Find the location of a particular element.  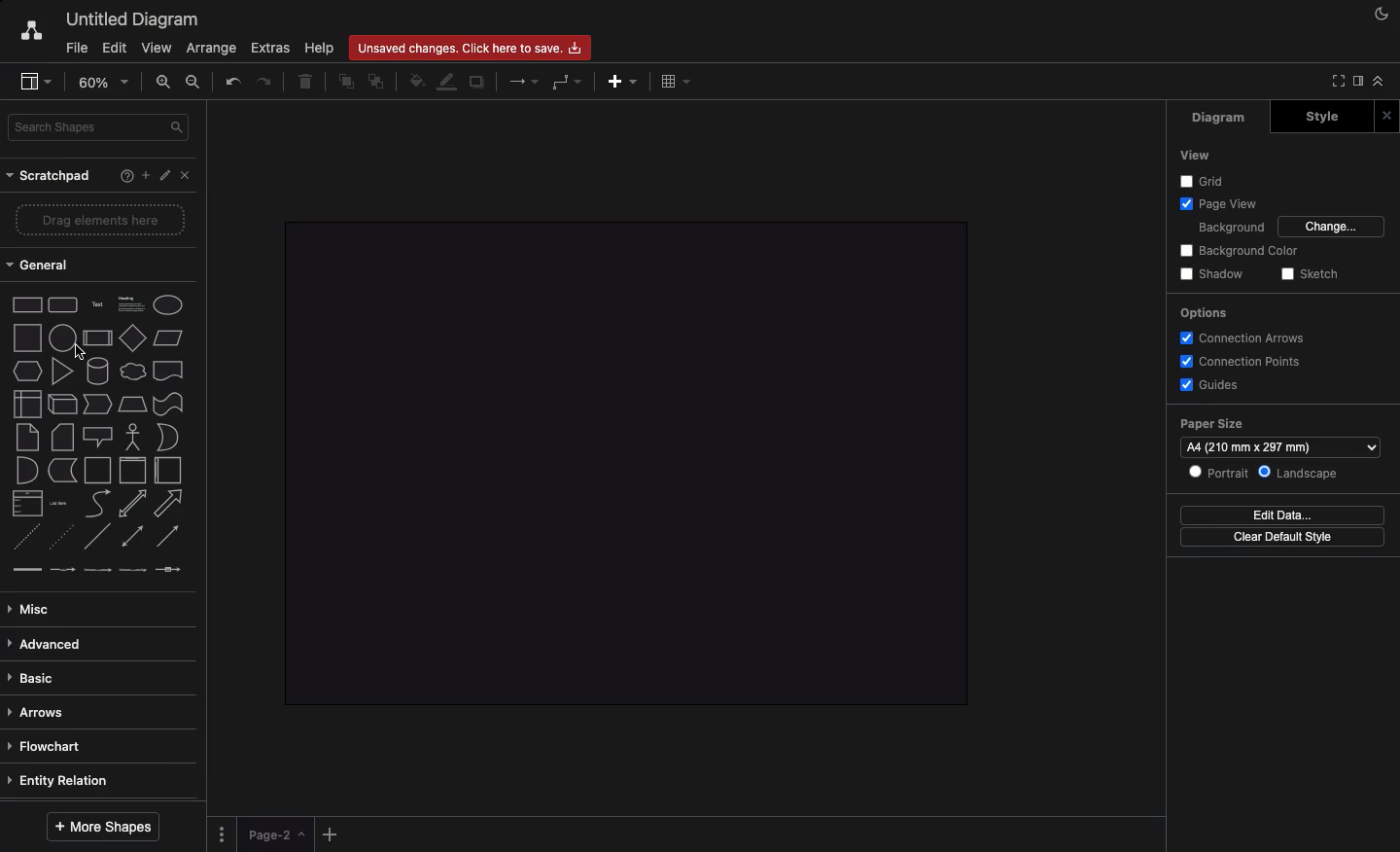

Diagram is located at coordinates (1214, 122).